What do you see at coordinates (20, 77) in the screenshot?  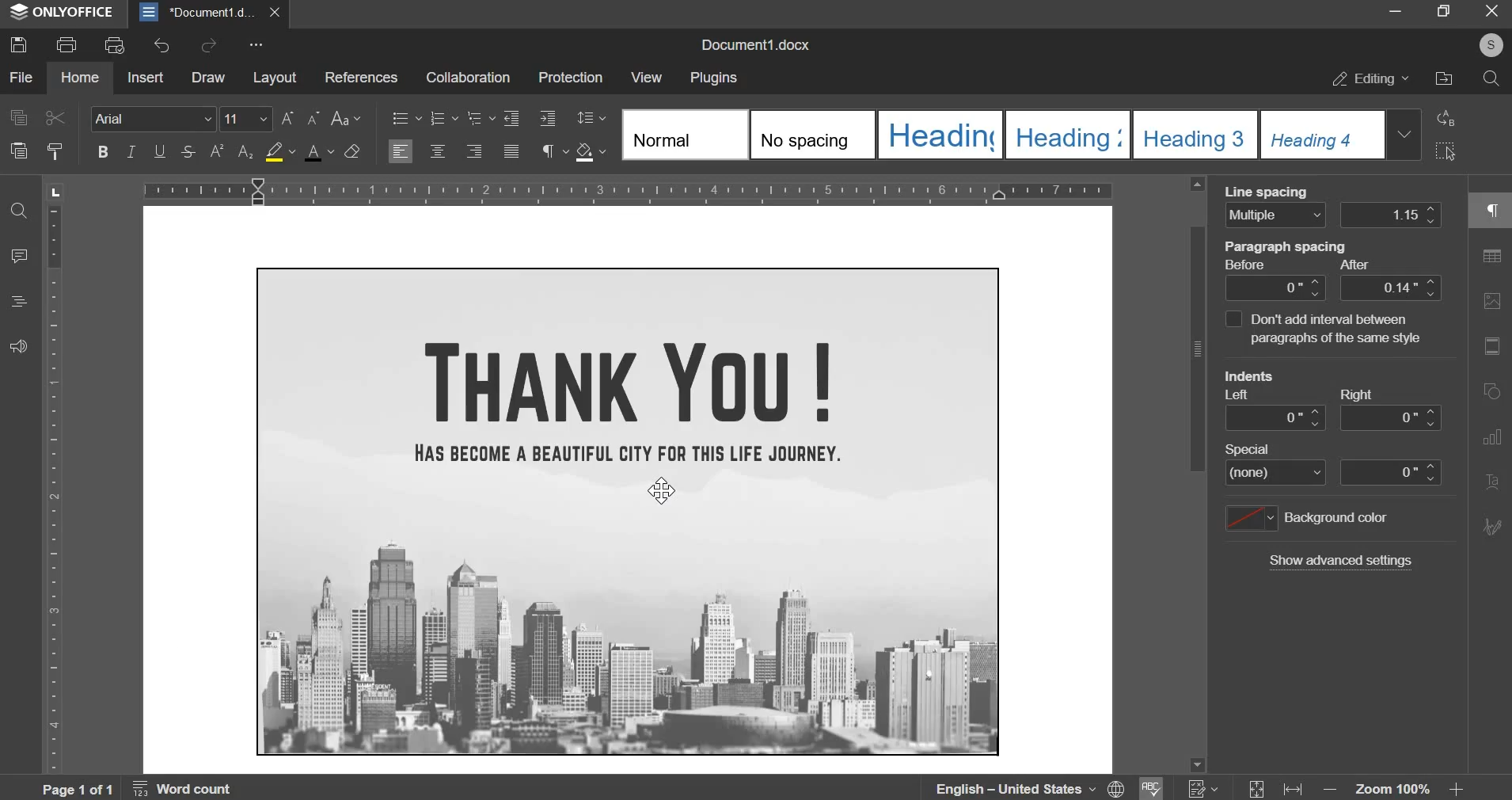 I see `file` at bounding box center [20, 77].